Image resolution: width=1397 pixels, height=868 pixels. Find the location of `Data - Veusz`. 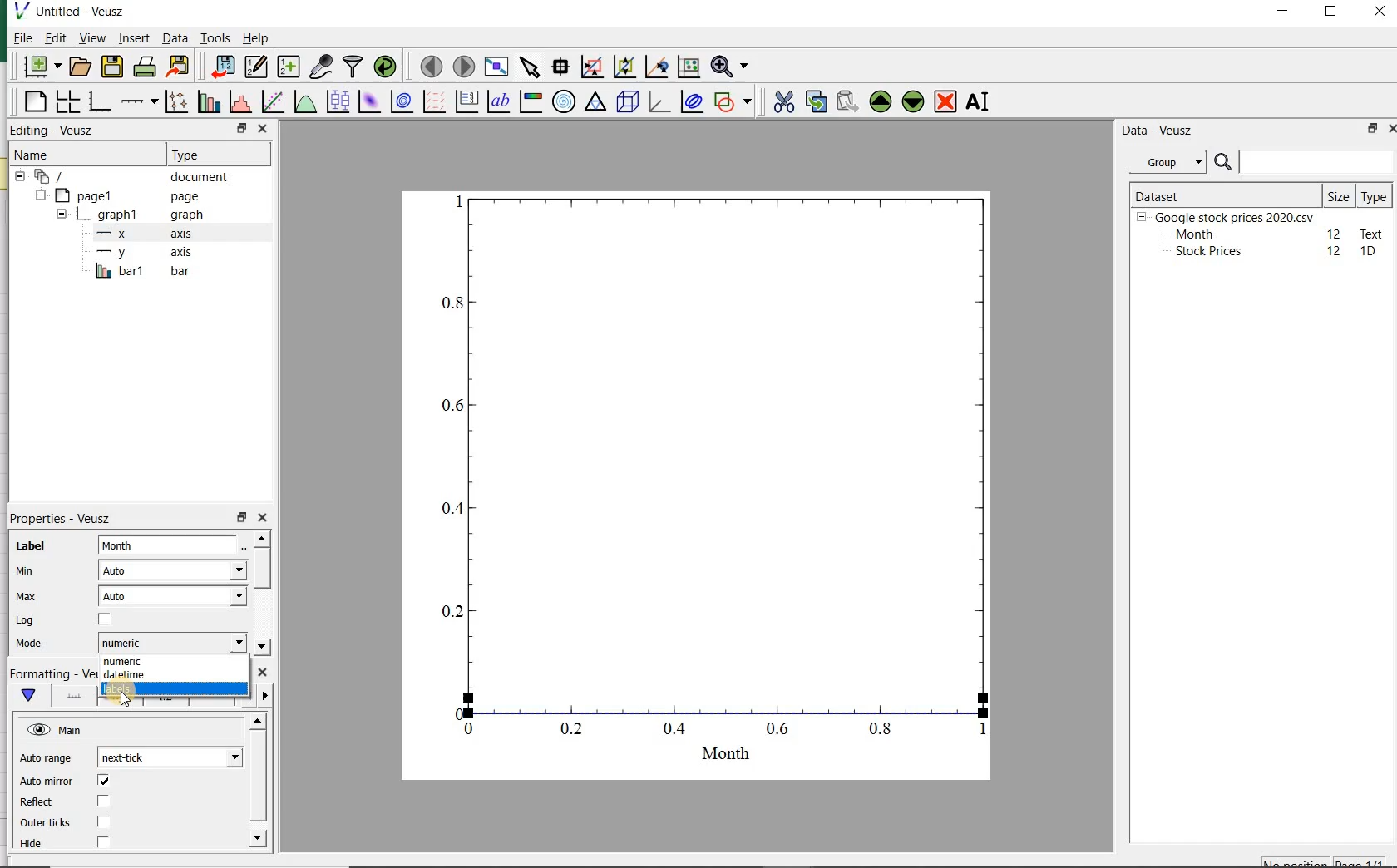

Data - Veusz is located at coordinates (1158, 130).